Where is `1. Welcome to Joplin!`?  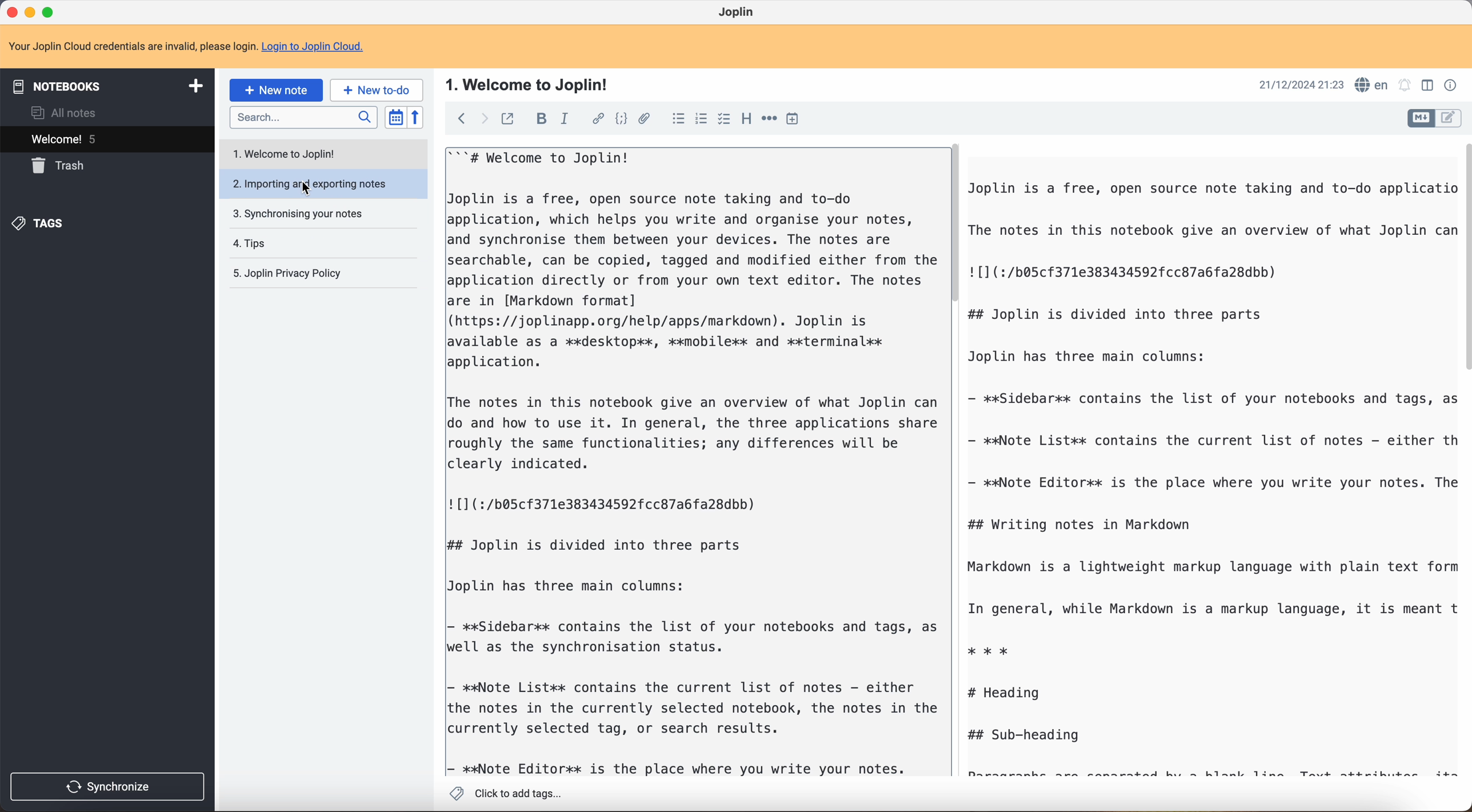 1. Welcome to Joplin! is located at coordinates (531, 83).